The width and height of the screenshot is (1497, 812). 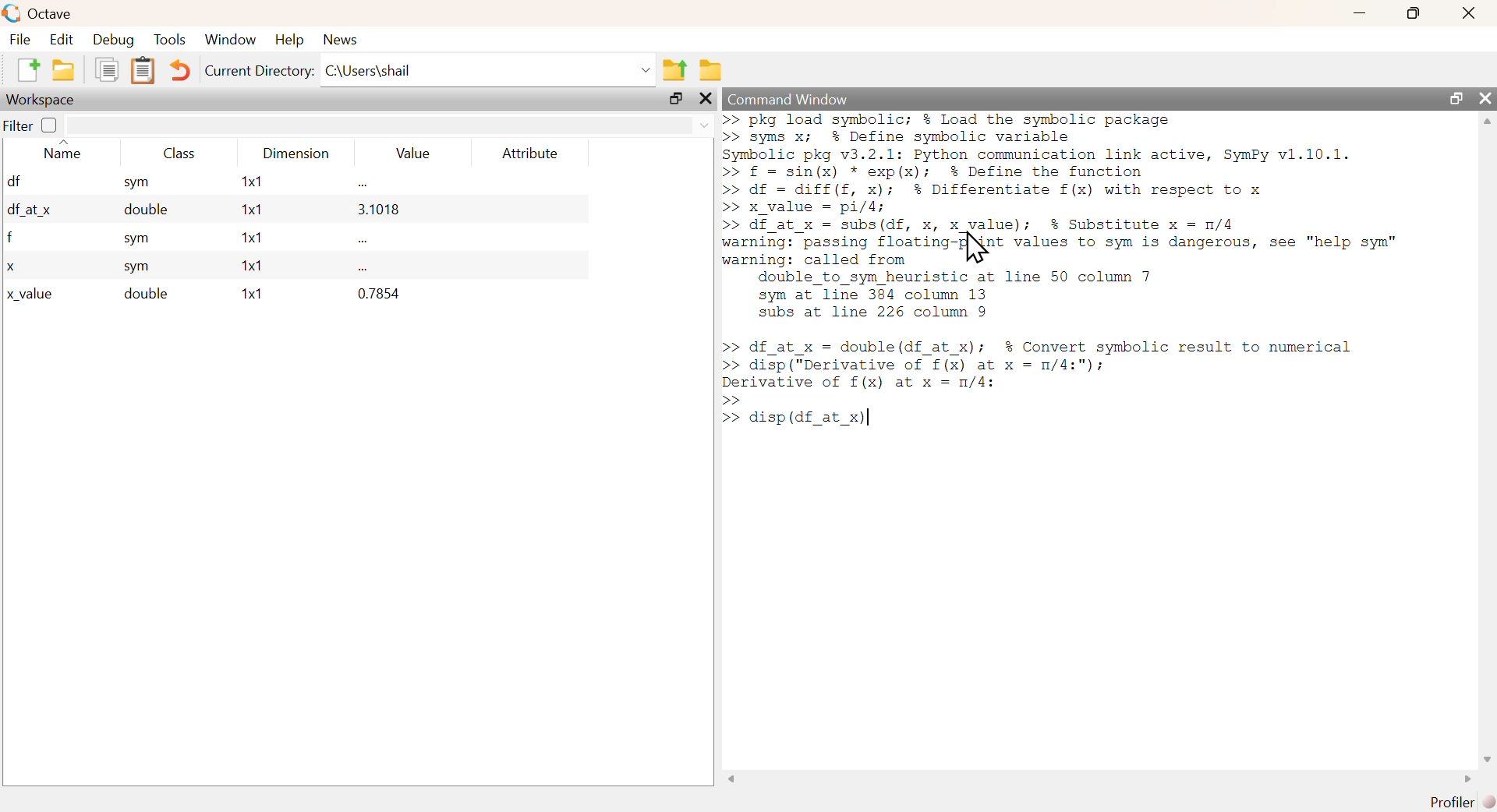 What do you see at coordinates (176, 152) in the screenshot?
I see `Class` at bounding box center [176, 152].